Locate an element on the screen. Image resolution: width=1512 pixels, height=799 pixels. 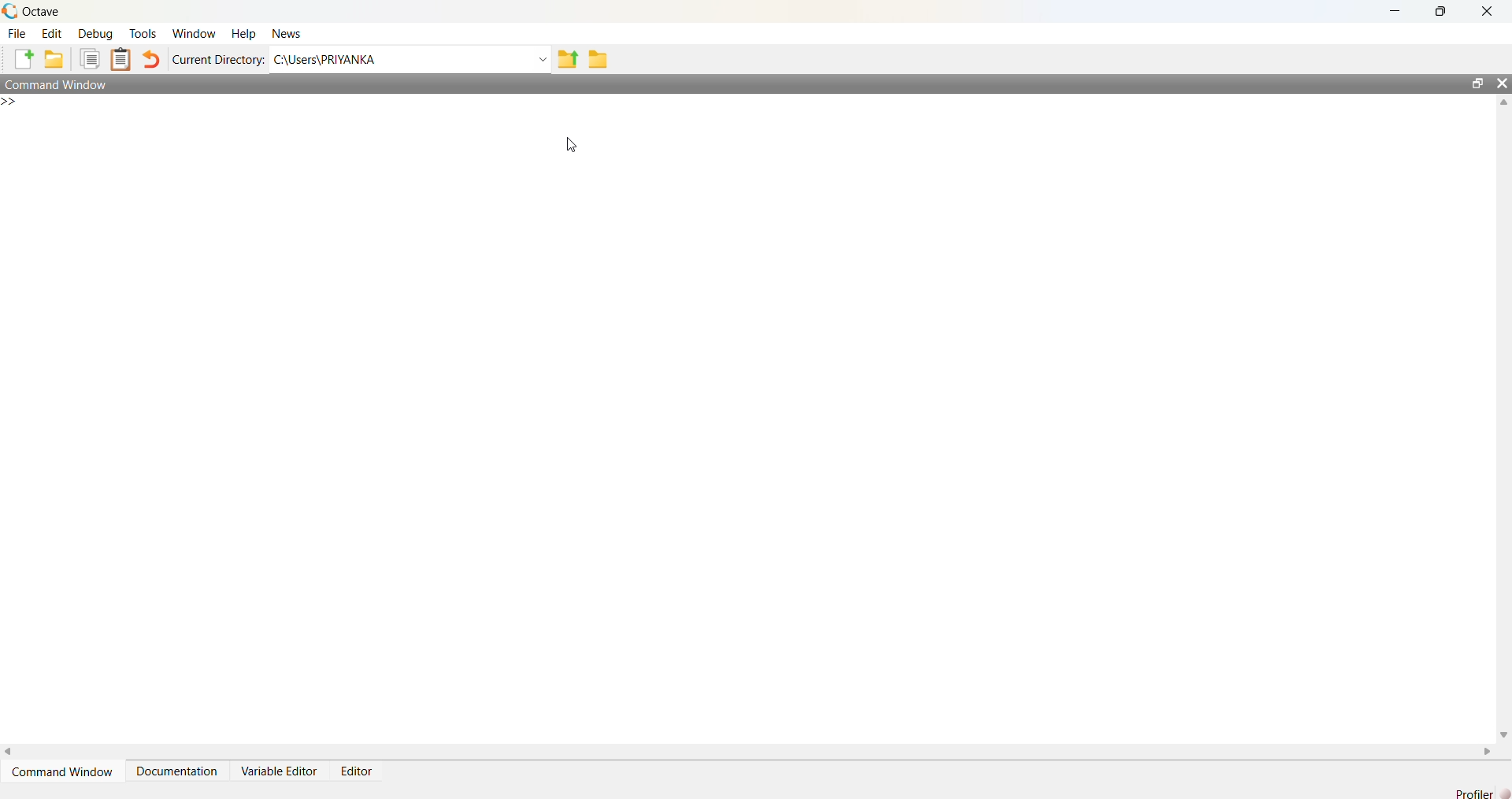
Paste is located at coordinates (123, 59).